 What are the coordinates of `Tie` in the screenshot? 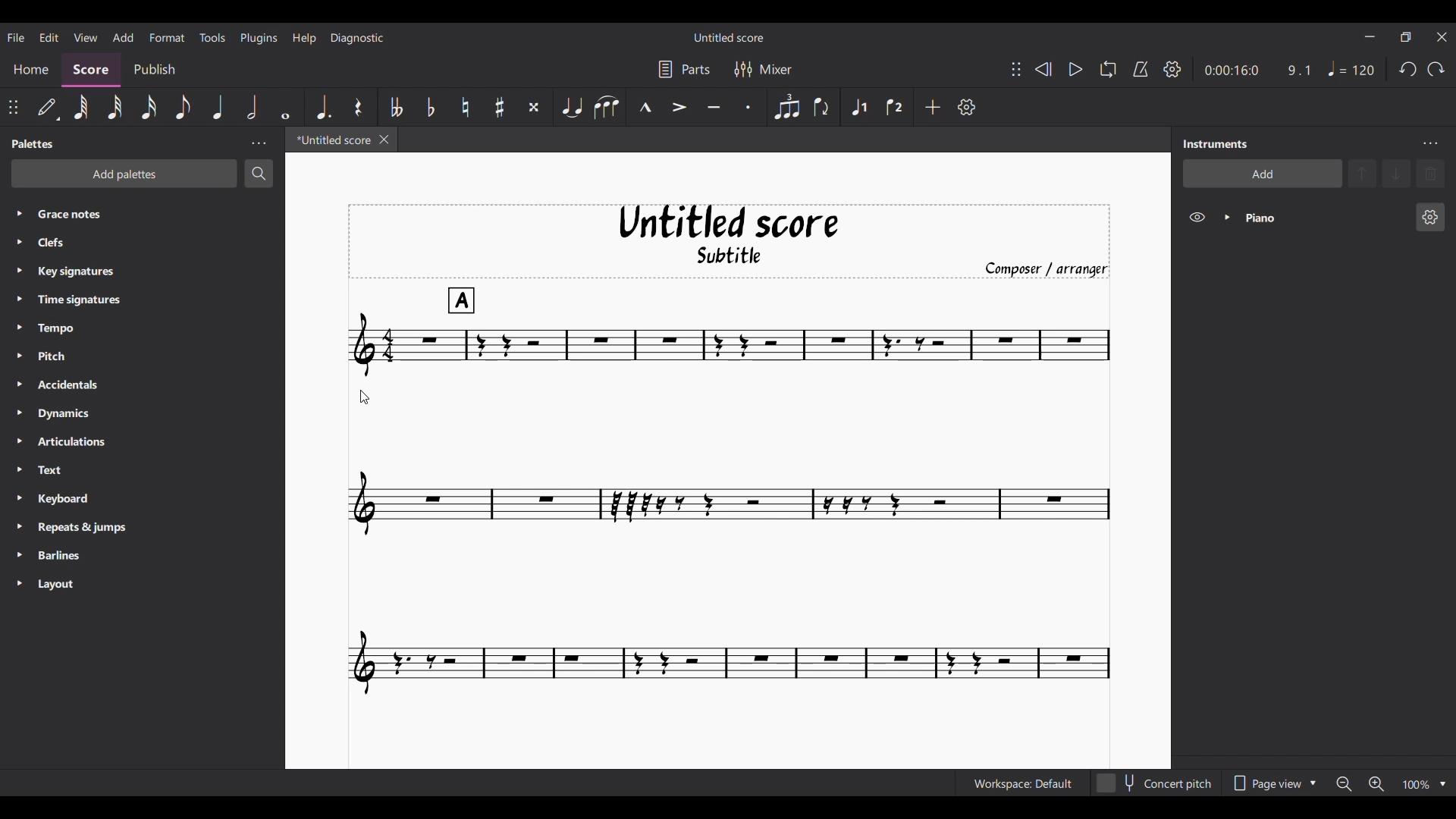 It's located at (571, 106).